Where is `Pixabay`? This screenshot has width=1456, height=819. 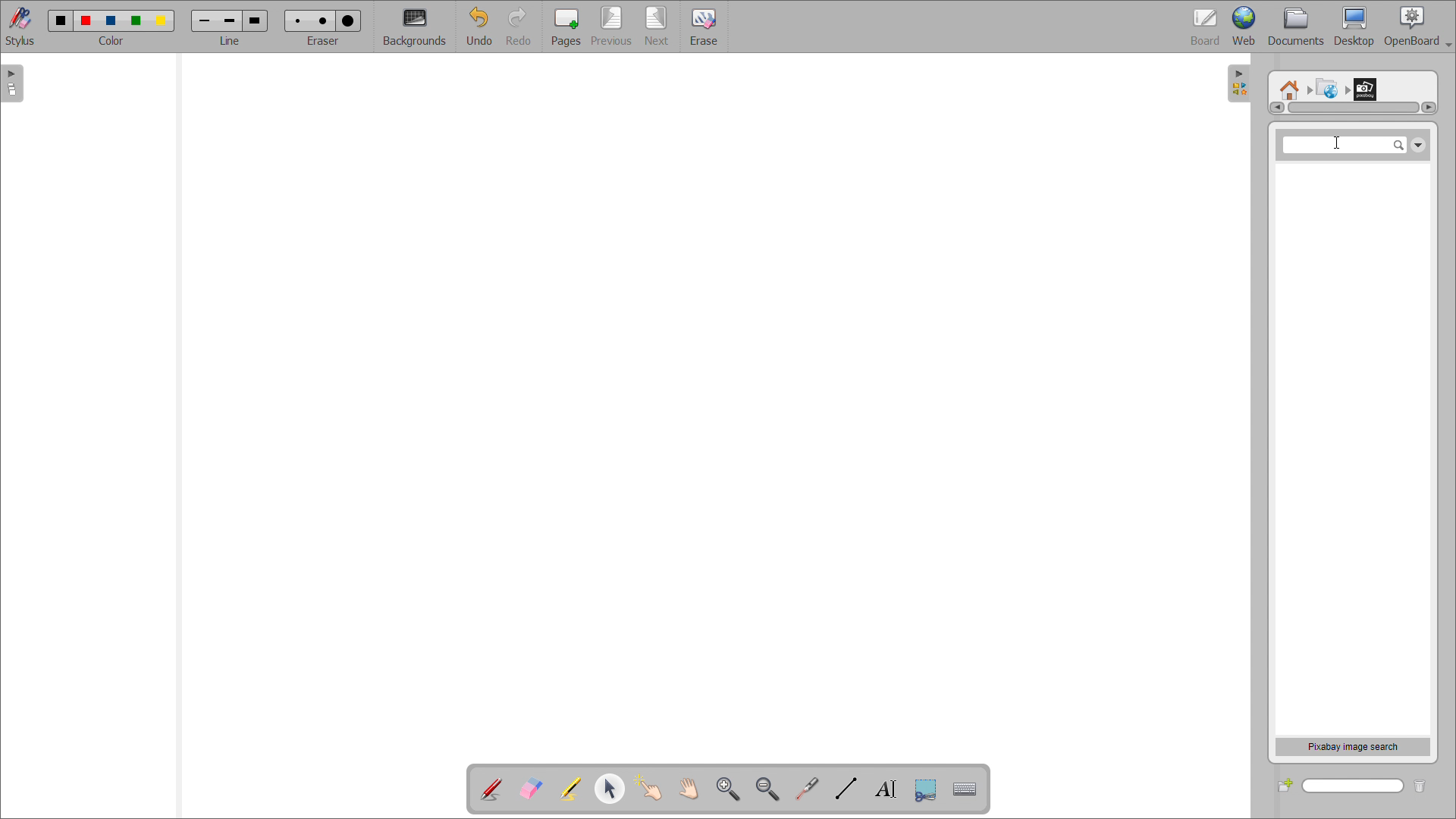
Pixabay is located at coordinates (1369, 86).